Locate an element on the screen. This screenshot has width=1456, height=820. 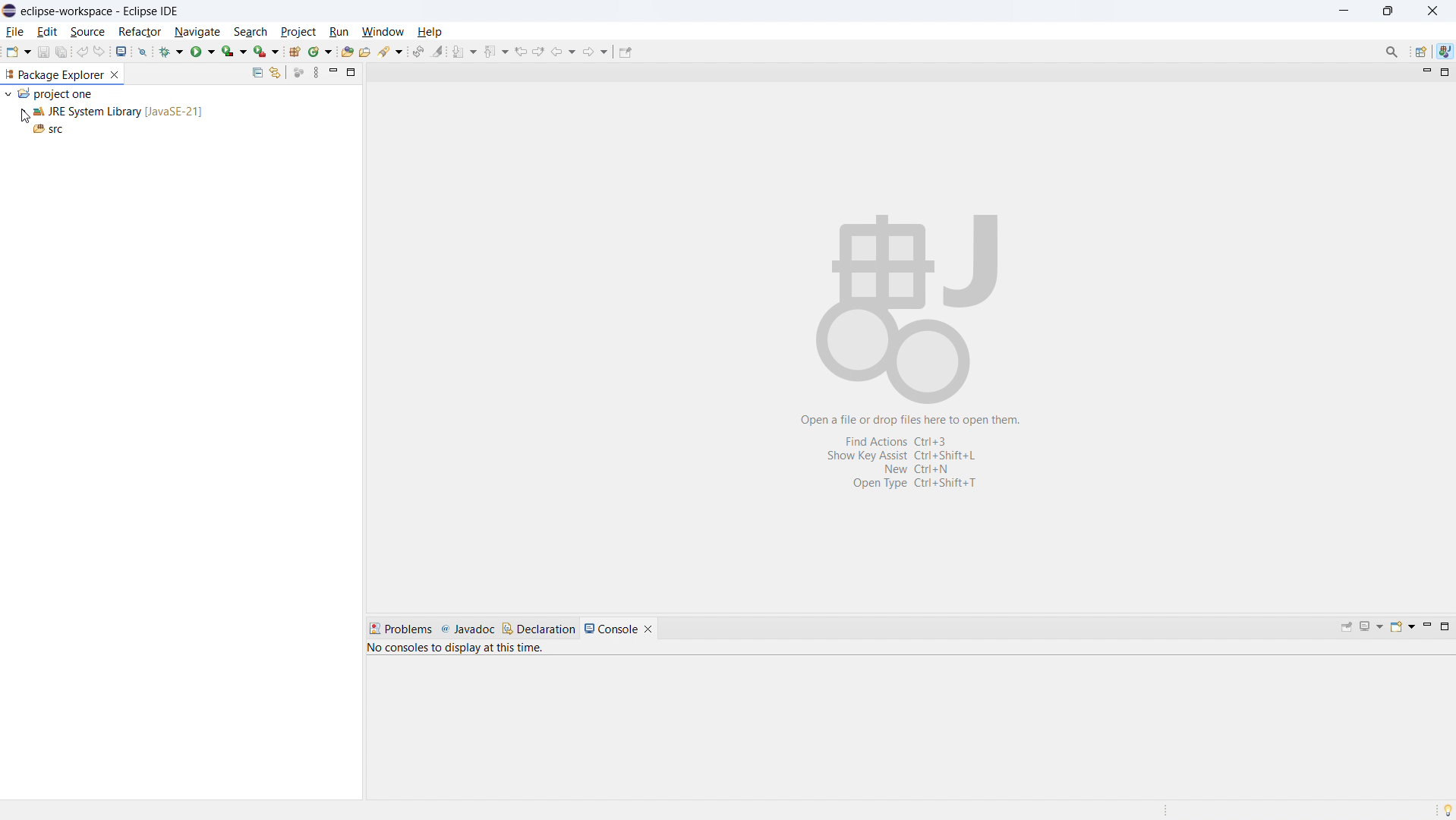
javadoc is located at coordinates (469, 628).